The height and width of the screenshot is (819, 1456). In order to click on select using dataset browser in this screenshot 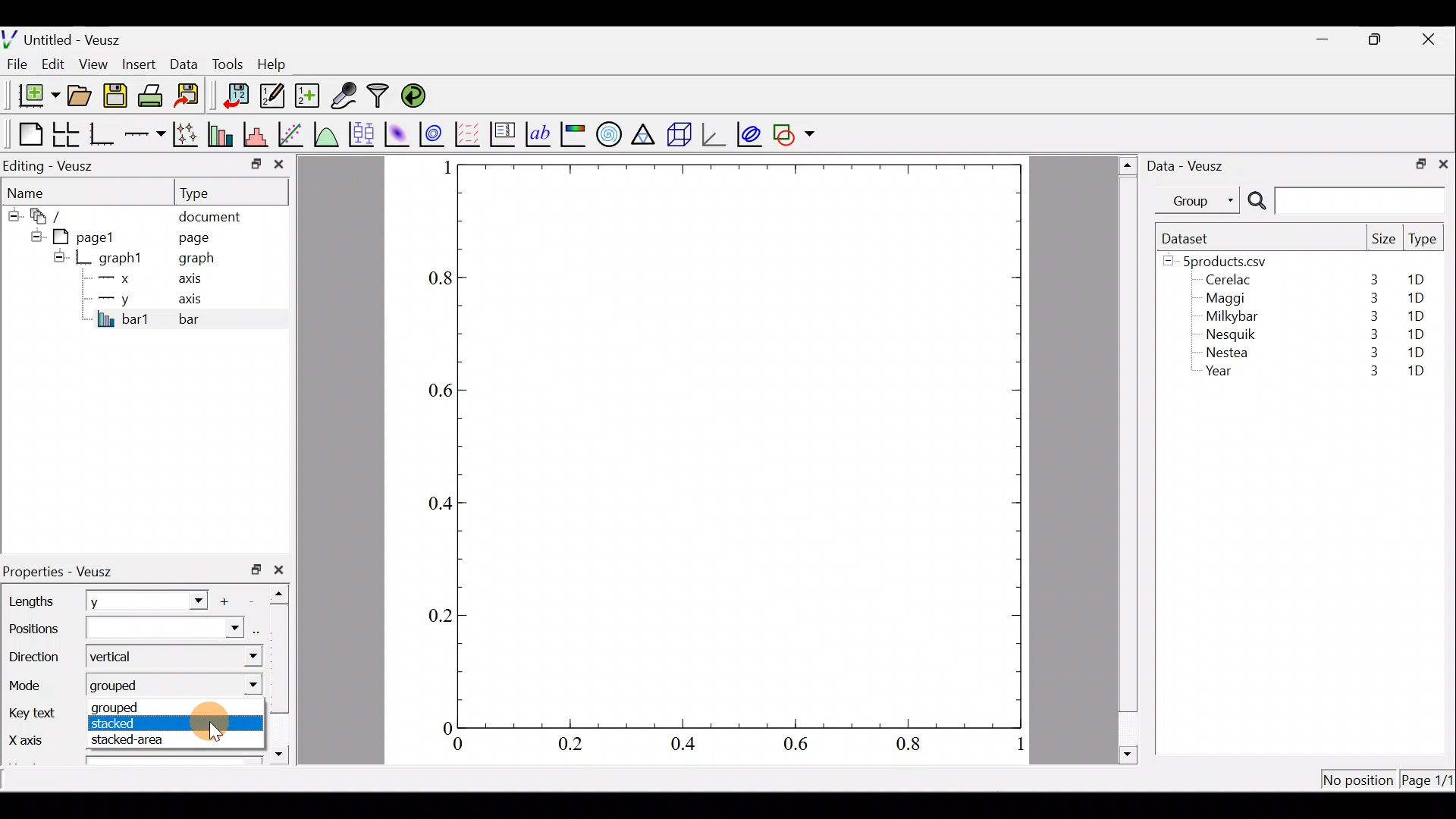, I will do `click(259, 629)`.